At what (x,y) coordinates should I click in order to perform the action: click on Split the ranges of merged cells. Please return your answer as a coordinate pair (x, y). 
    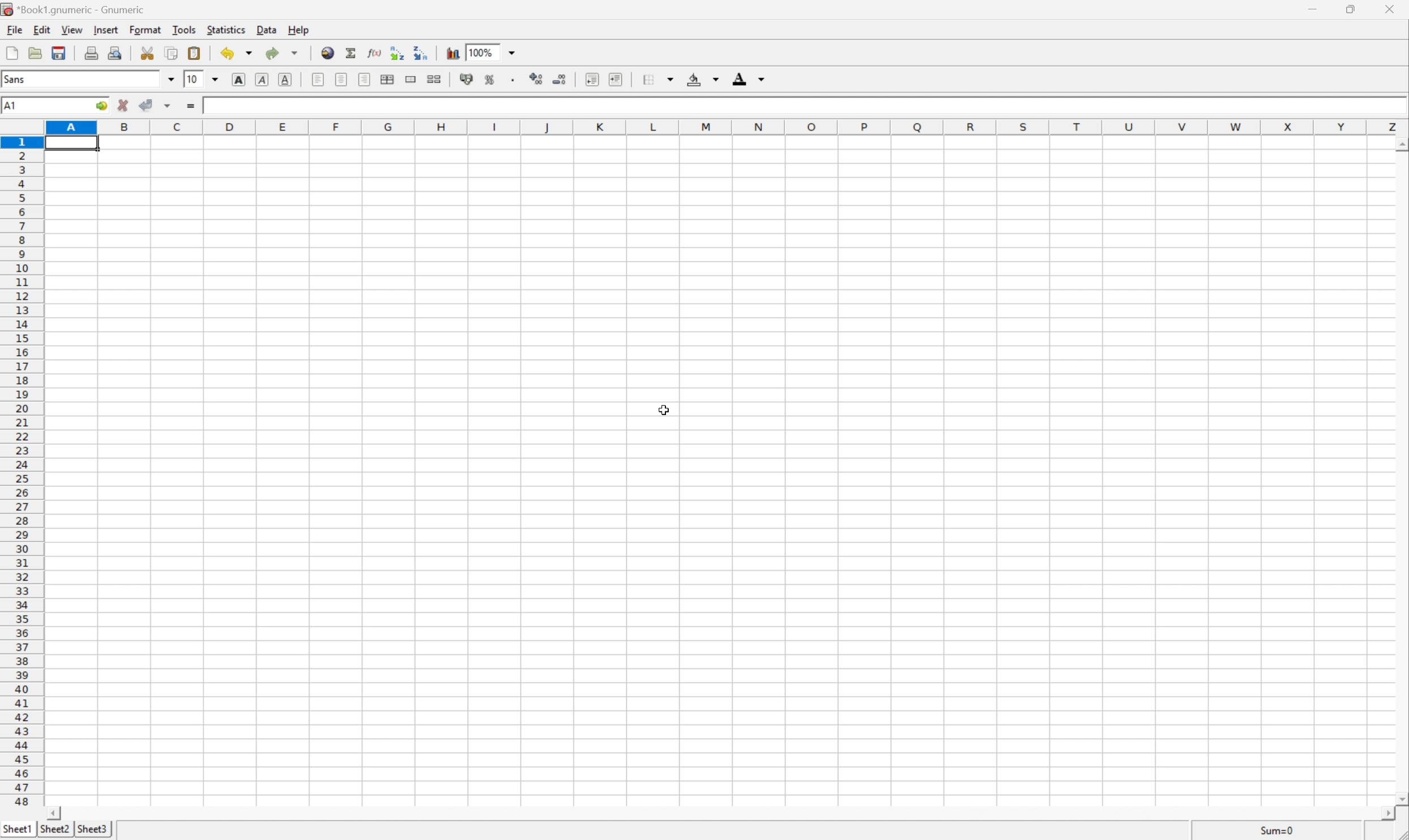
    Looking at the image, I should click on (435, 78).